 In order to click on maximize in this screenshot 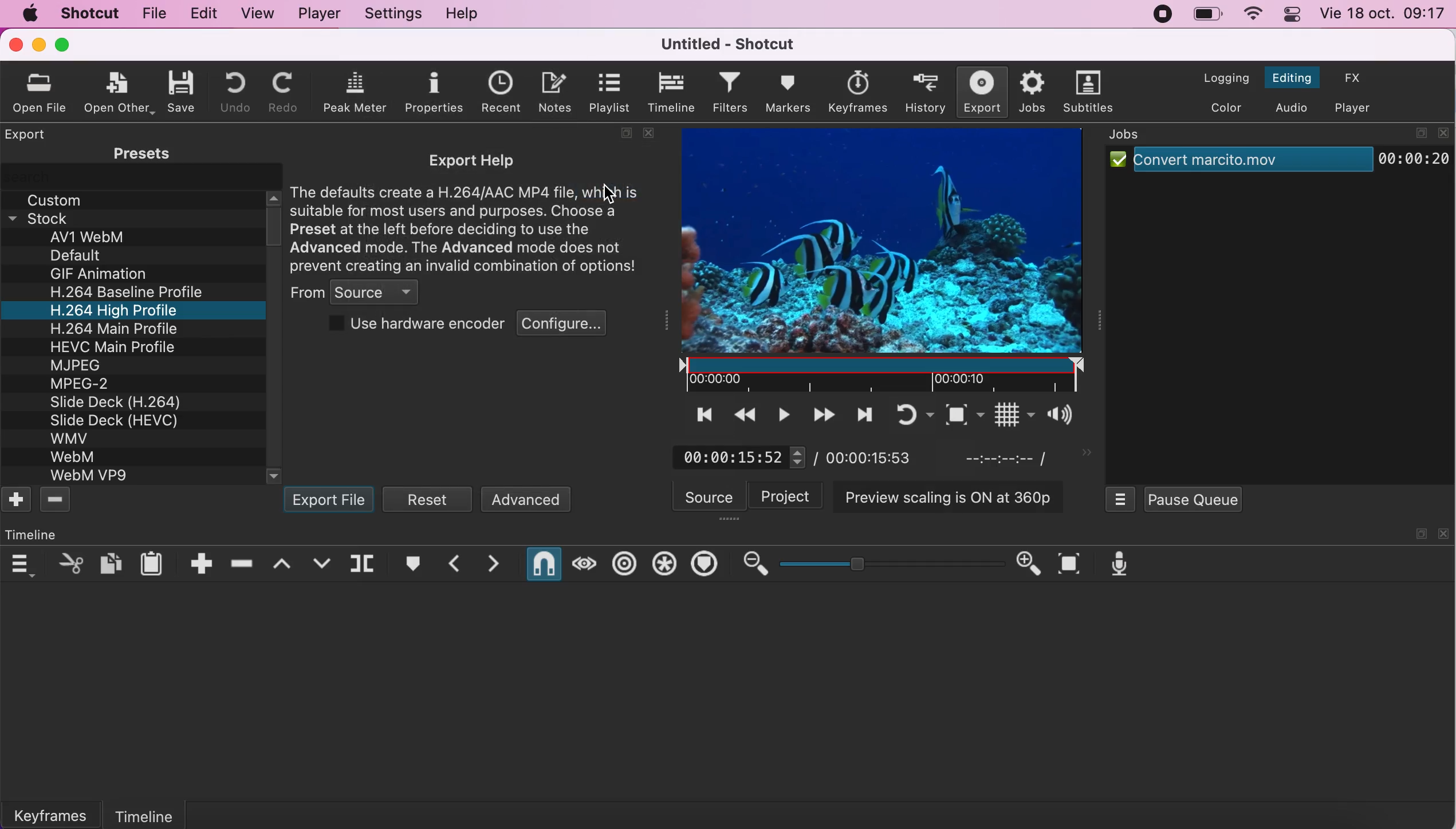, I will do `click(1419, 534)`.